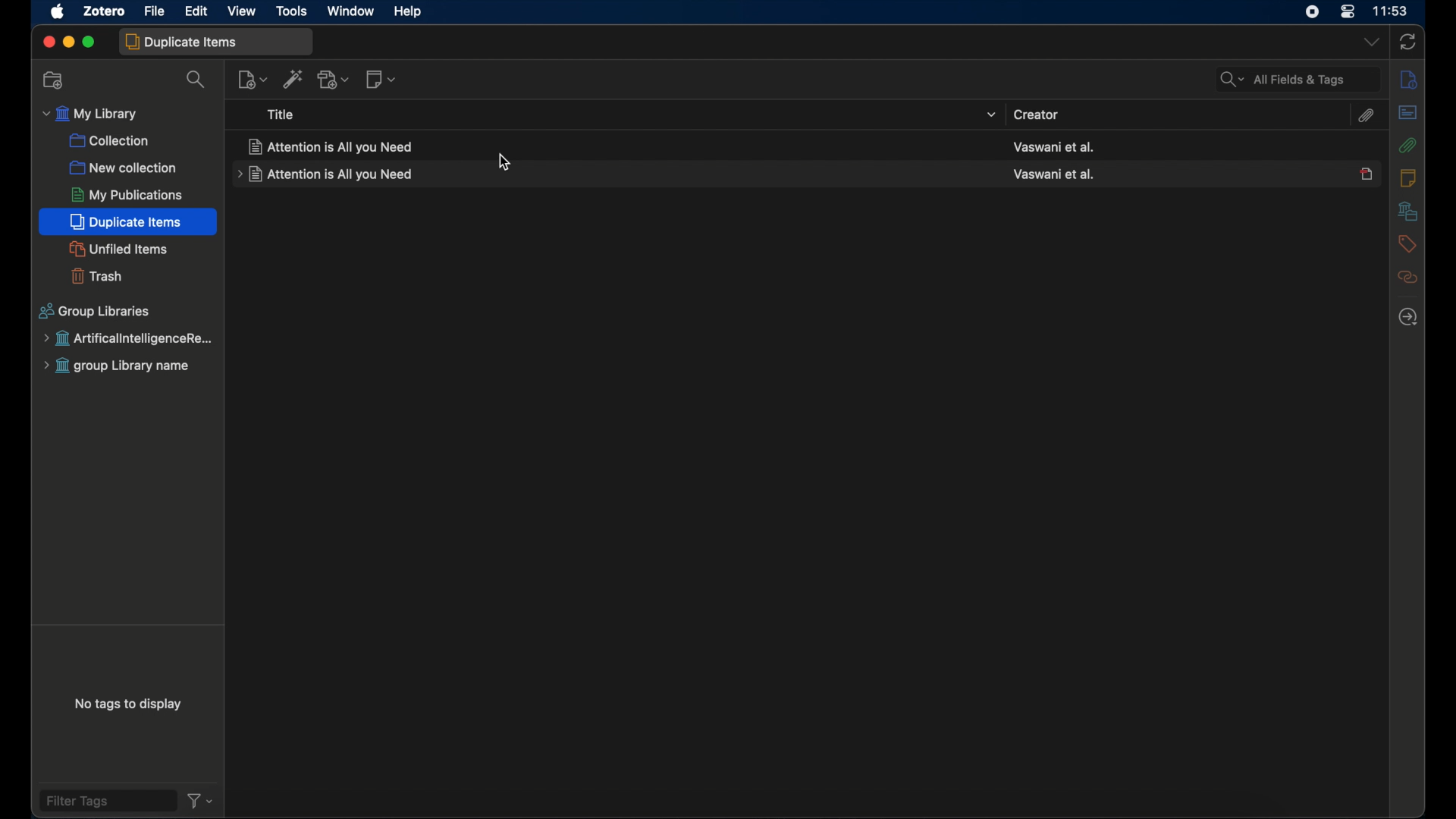  I want to click on my library menu, so click(91, 115).